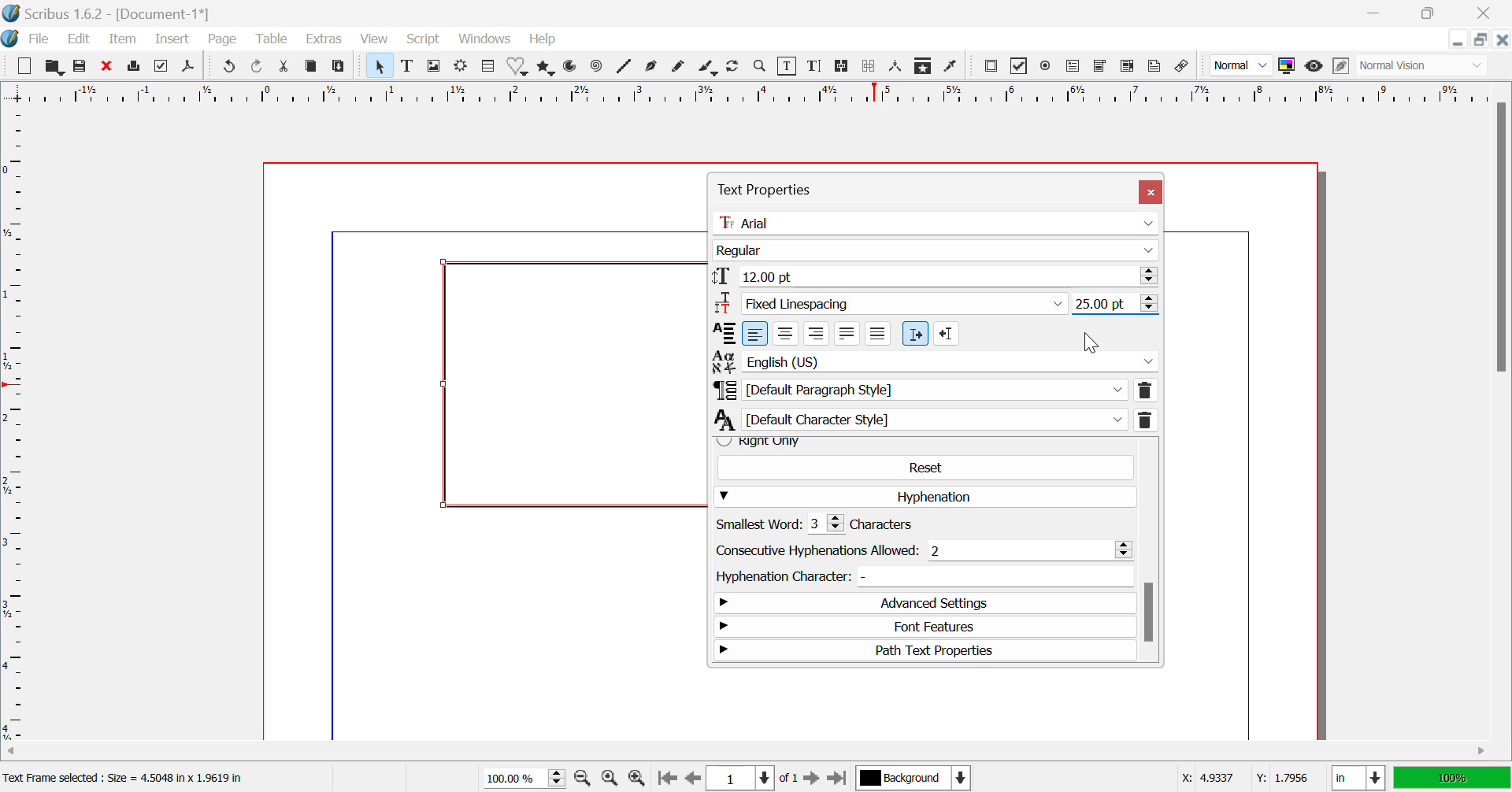 This screenshot has height=792, width=1512. What do you see at coordinates (584, 779) in the screenshot?
I see `Zoom Out` at bounding box center [584, 779].